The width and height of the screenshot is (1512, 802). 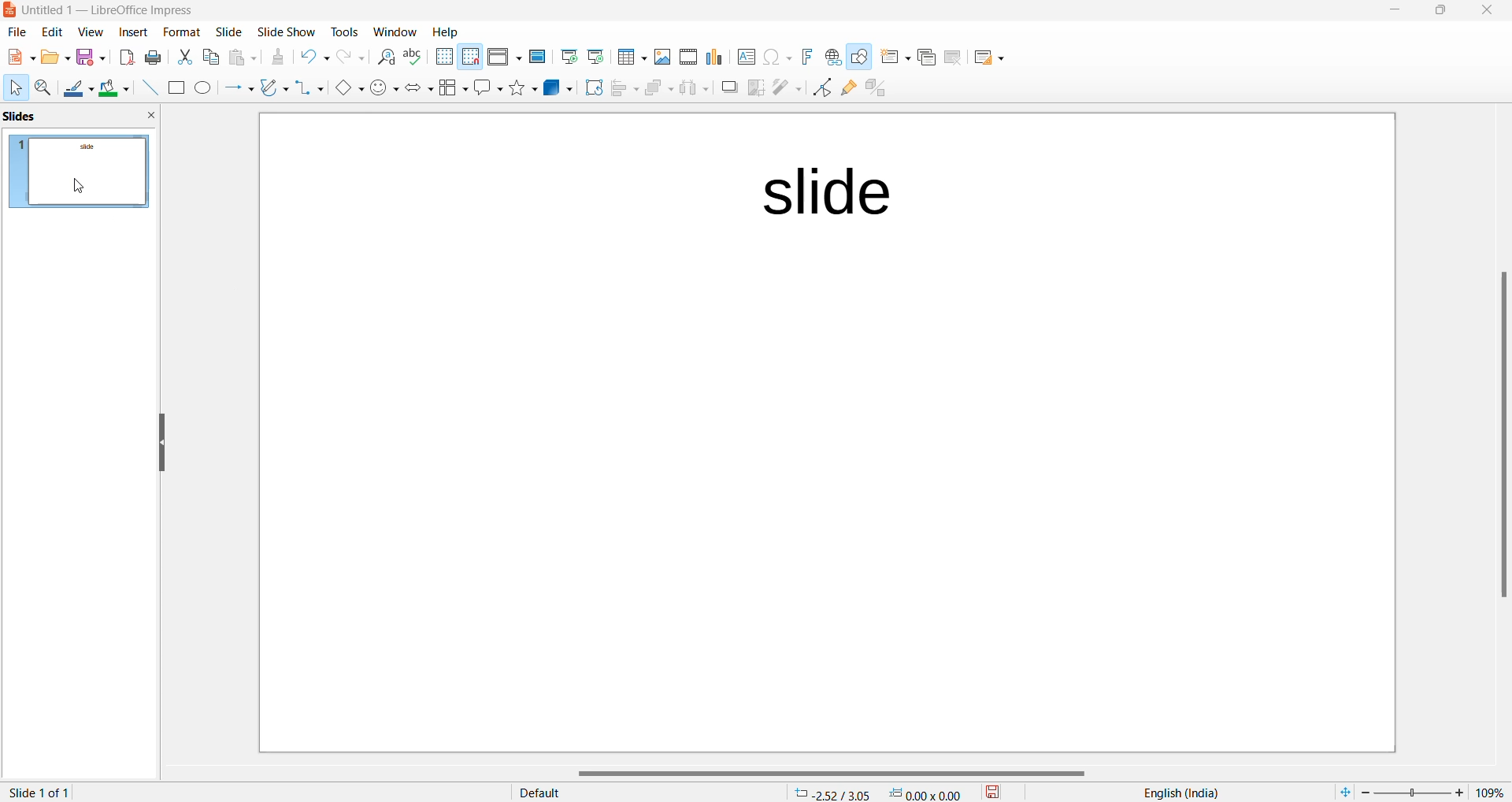 I want to click on symbol shapes, so click(x=385, y=89).